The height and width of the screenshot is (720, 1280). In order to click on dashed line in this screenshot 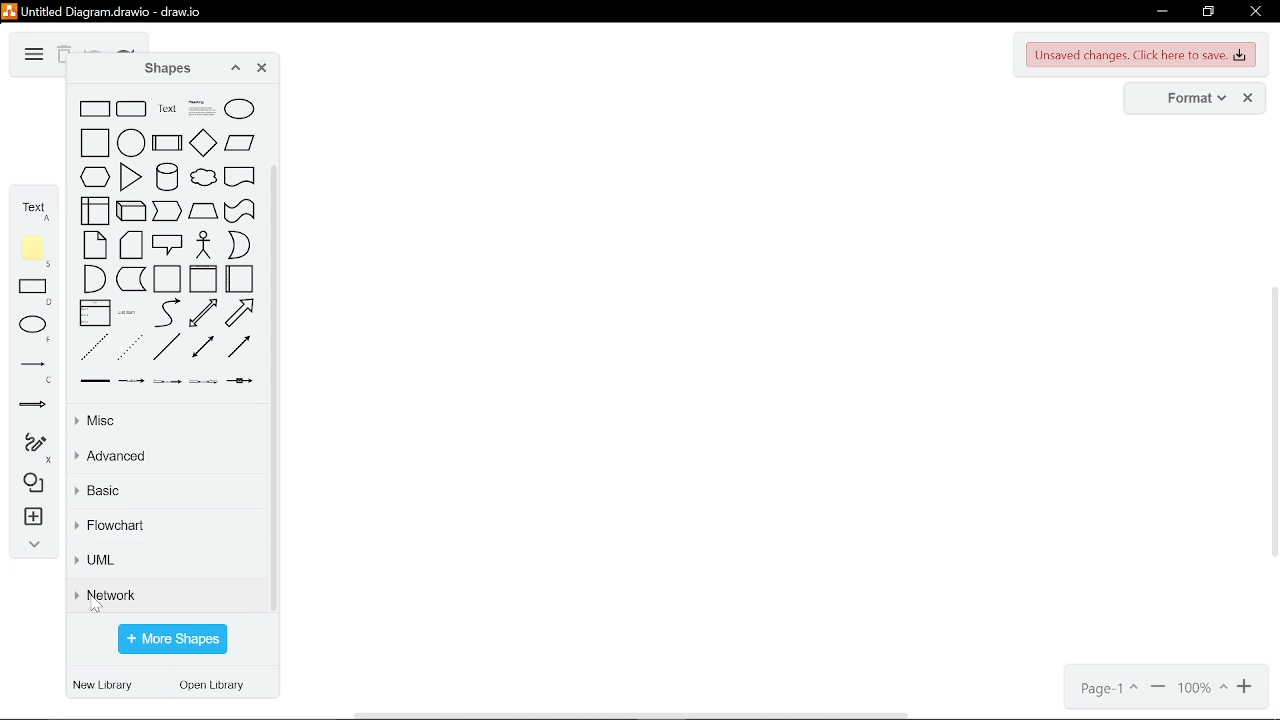, I will do `click(95, 347)`.